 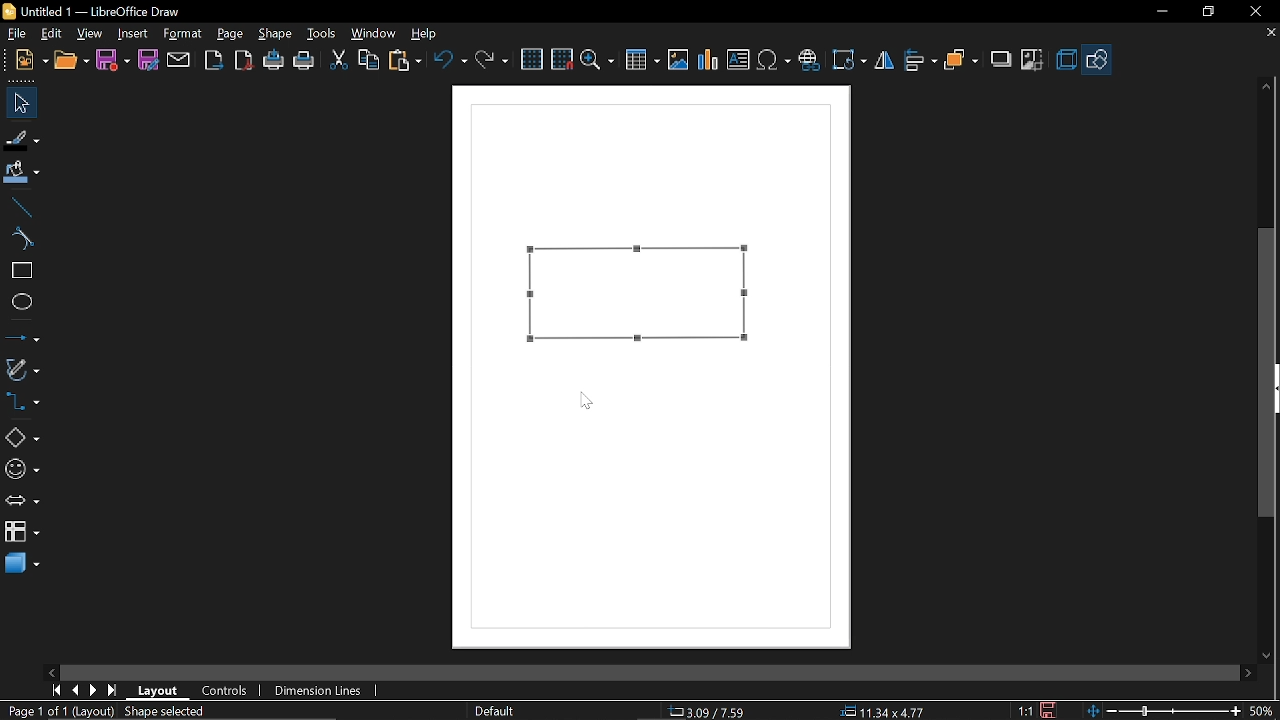 I want to click on previous page, so click(x=75, y=690).